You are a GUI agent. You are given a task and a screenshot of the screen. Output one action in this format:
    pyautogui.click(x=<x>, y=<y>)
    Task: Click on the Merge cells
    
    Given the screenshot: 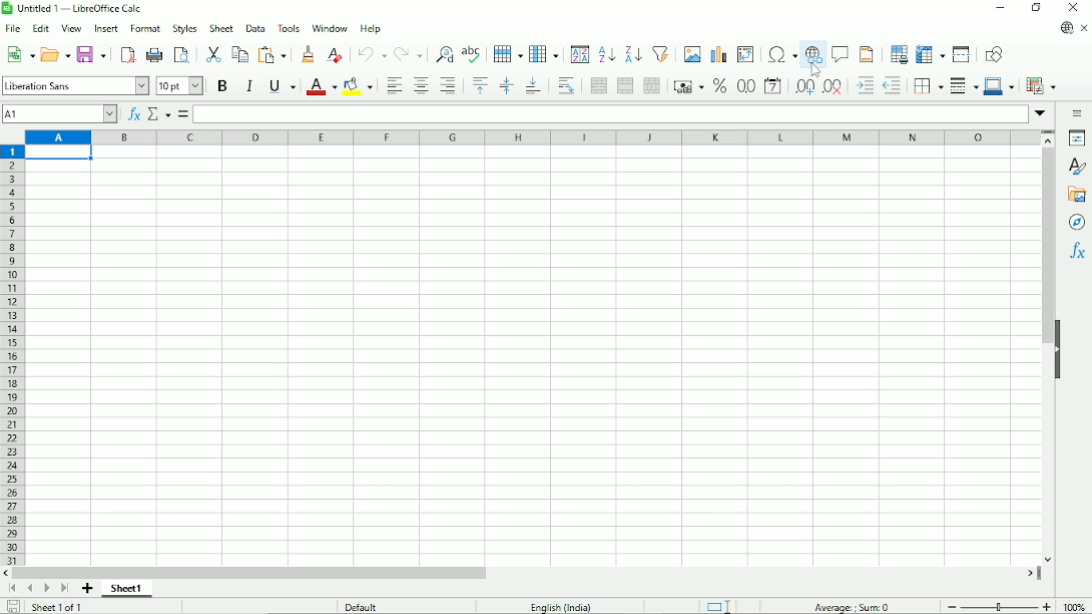 What is the action you would take?
    pyautogui.click(x=626, y=86)
    